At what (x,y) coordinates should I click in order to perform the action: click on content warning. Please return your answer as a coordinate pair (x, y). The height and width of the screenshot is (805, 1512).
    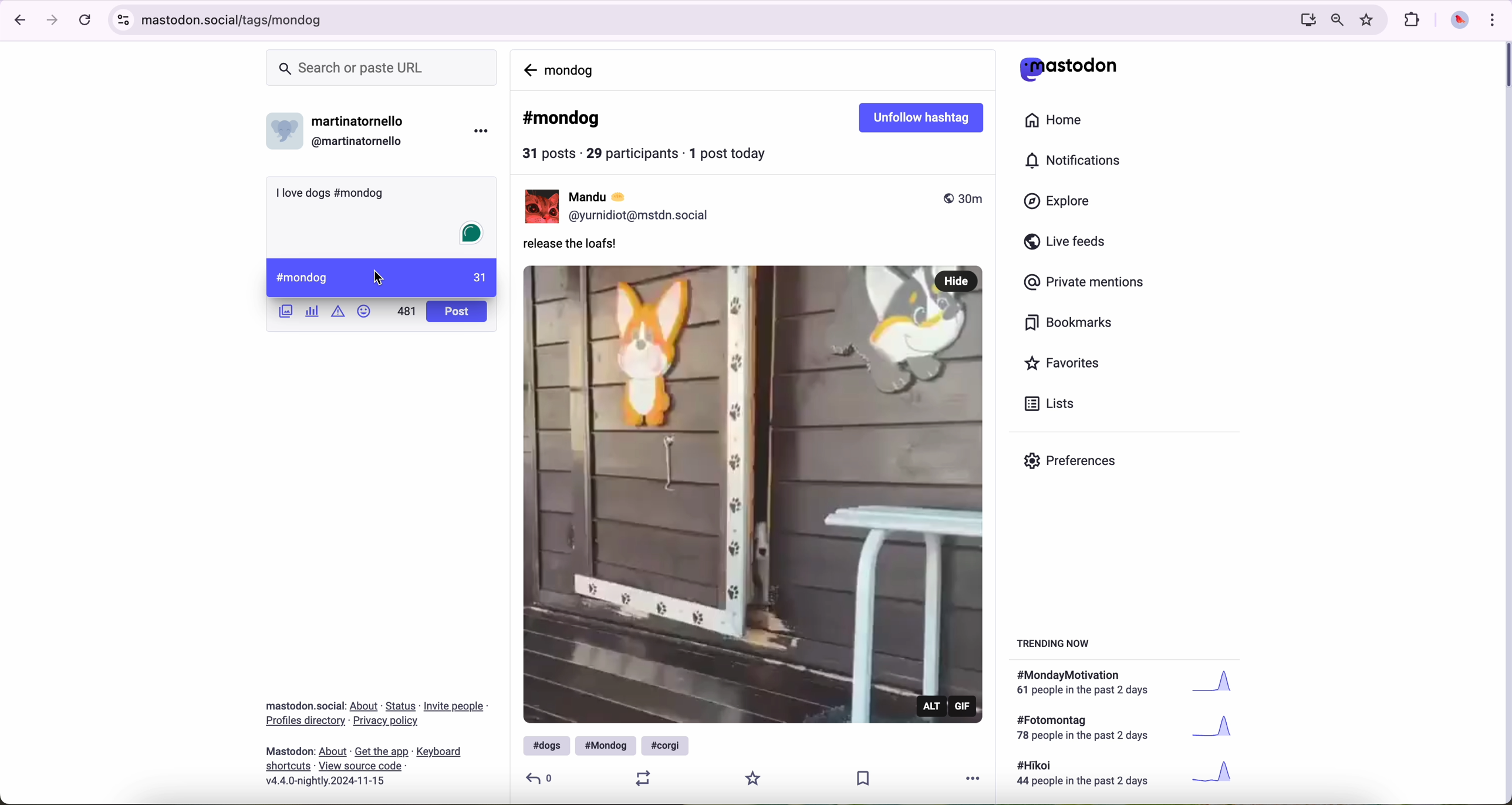
    Looking at the image, I should click on (336, 314).